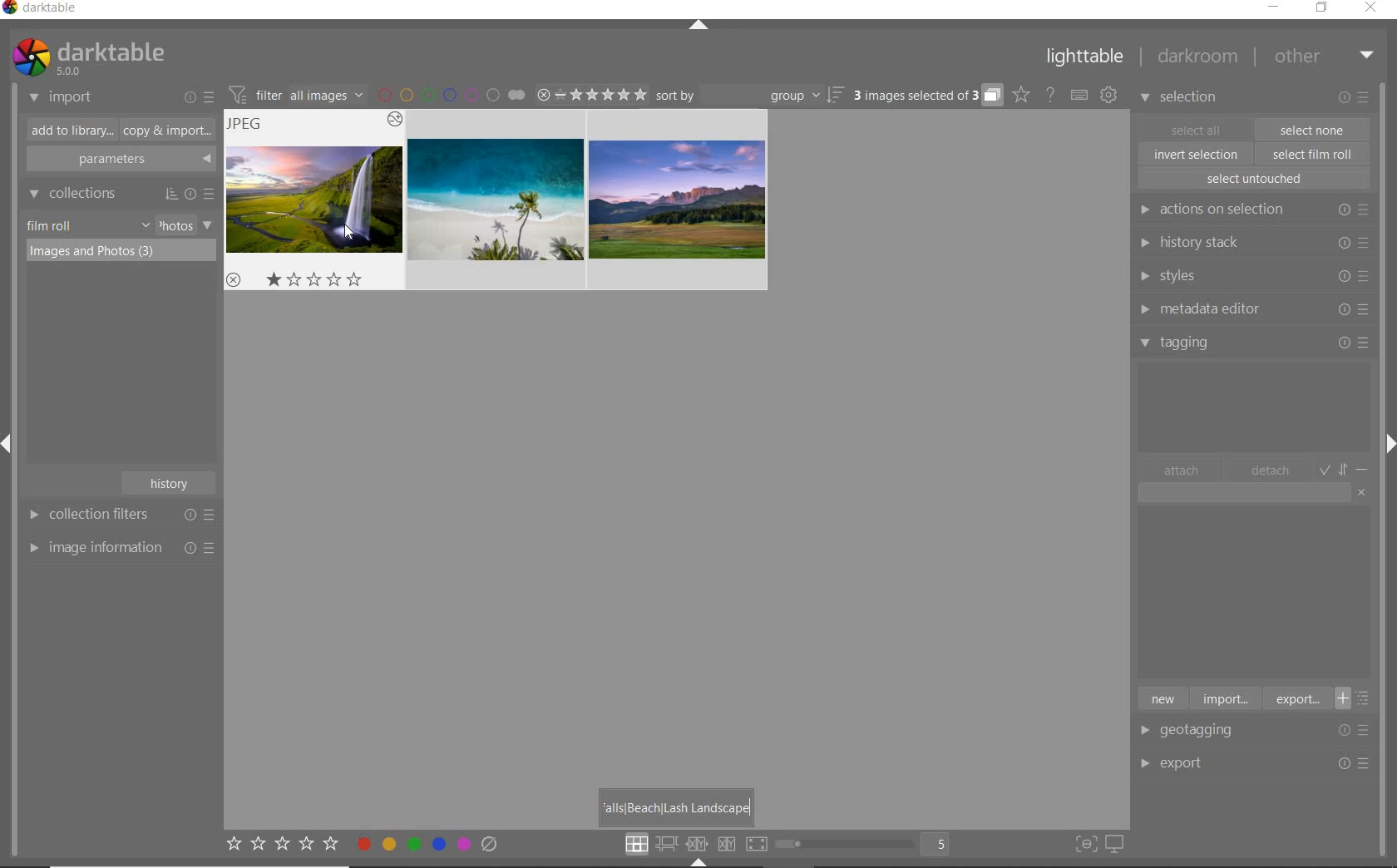 Image resolution: width=1397 pixels, height=868 pixels. I want to click on import, so click(62, 98).